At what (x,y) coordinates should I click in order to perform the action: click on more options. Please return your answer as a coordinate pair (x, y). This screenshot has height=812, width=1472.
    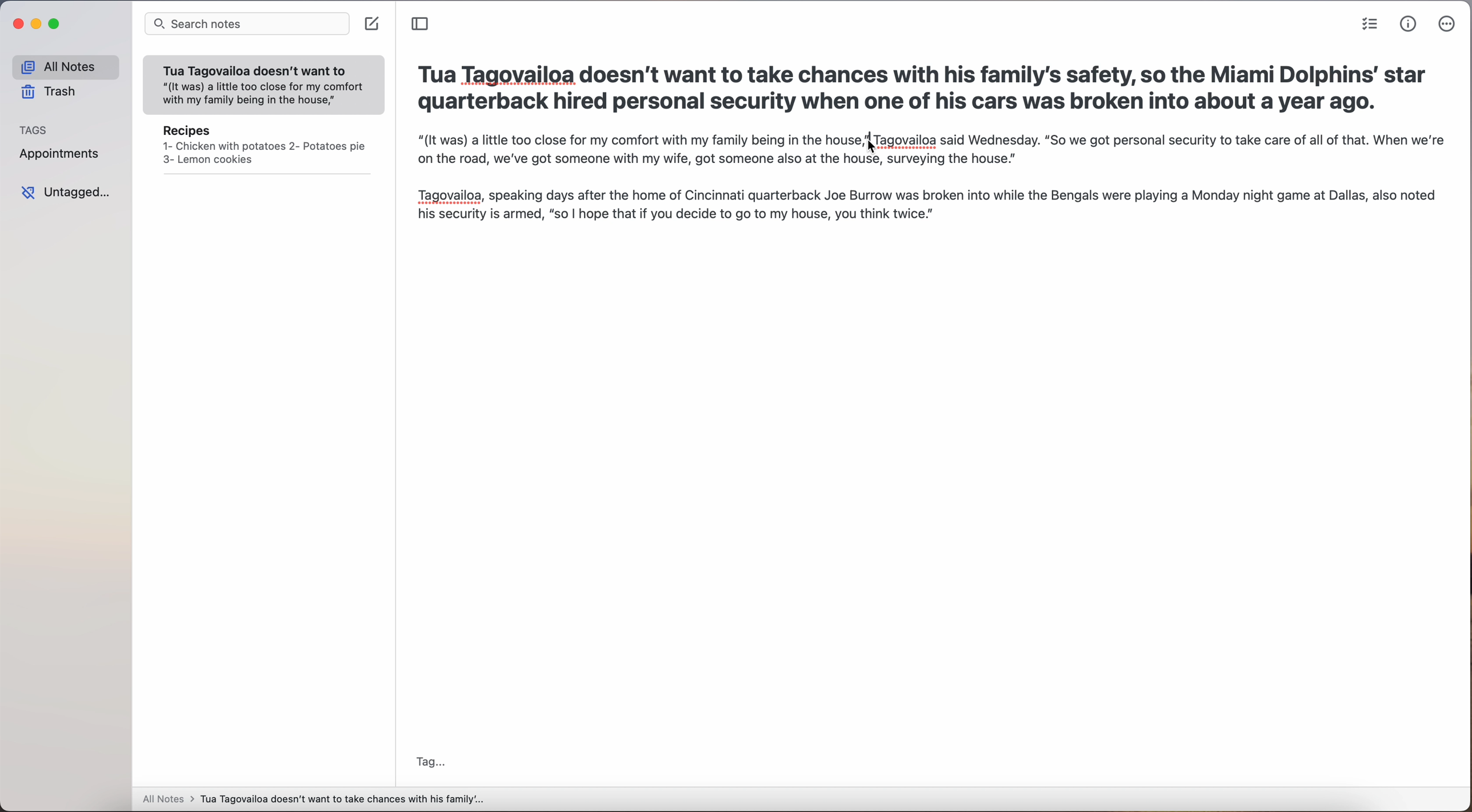
    Looking at the image, I should click on (1448, 24).